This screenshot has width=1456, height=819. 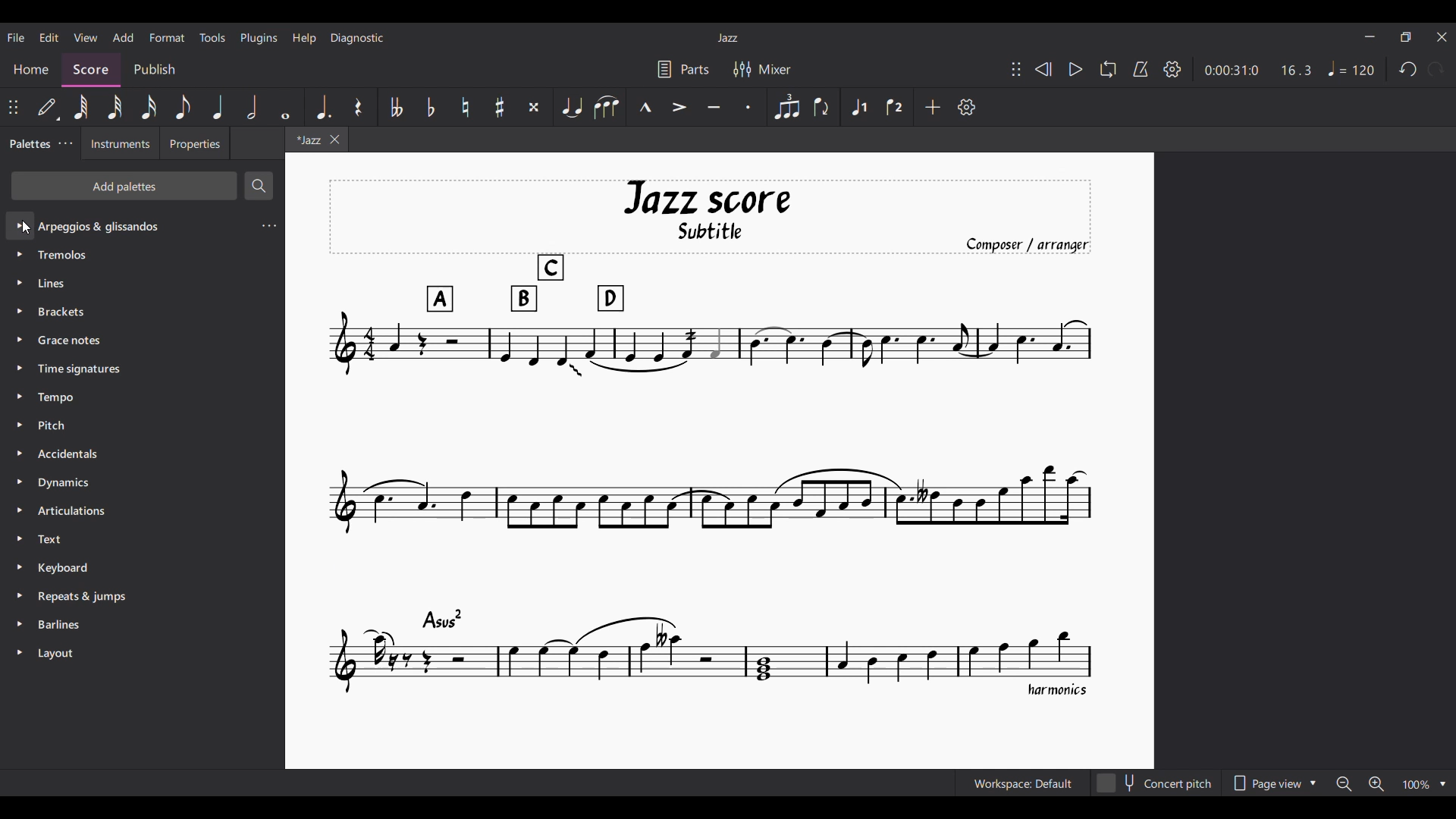 I want to click on Close interface , so click(x=1442, y=37).